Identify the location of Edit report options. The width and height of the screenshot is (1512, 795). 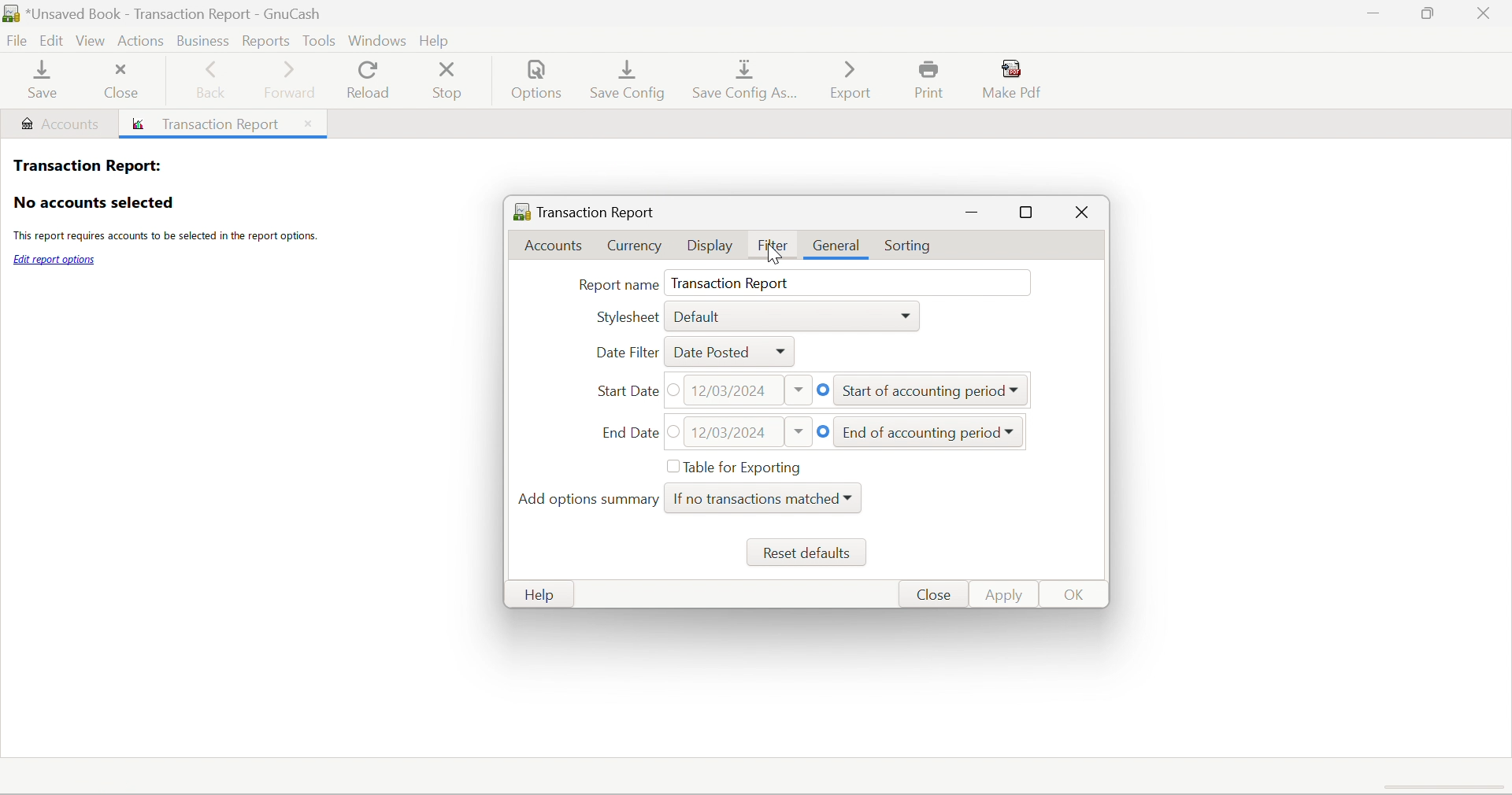
(55, 260).